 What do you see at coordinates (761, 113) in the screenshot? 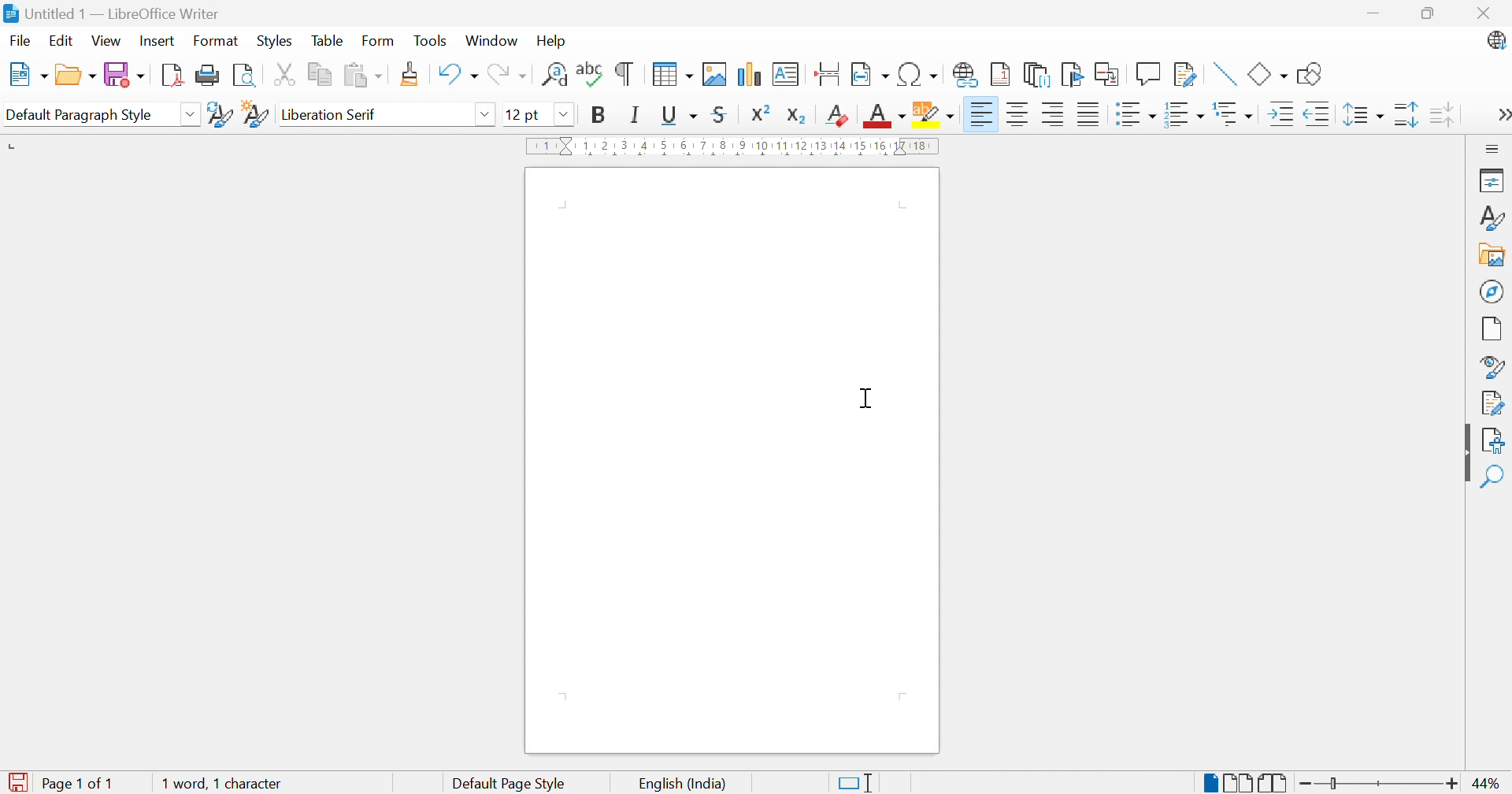
I see `Superscript` at bounding box center [761, 113].